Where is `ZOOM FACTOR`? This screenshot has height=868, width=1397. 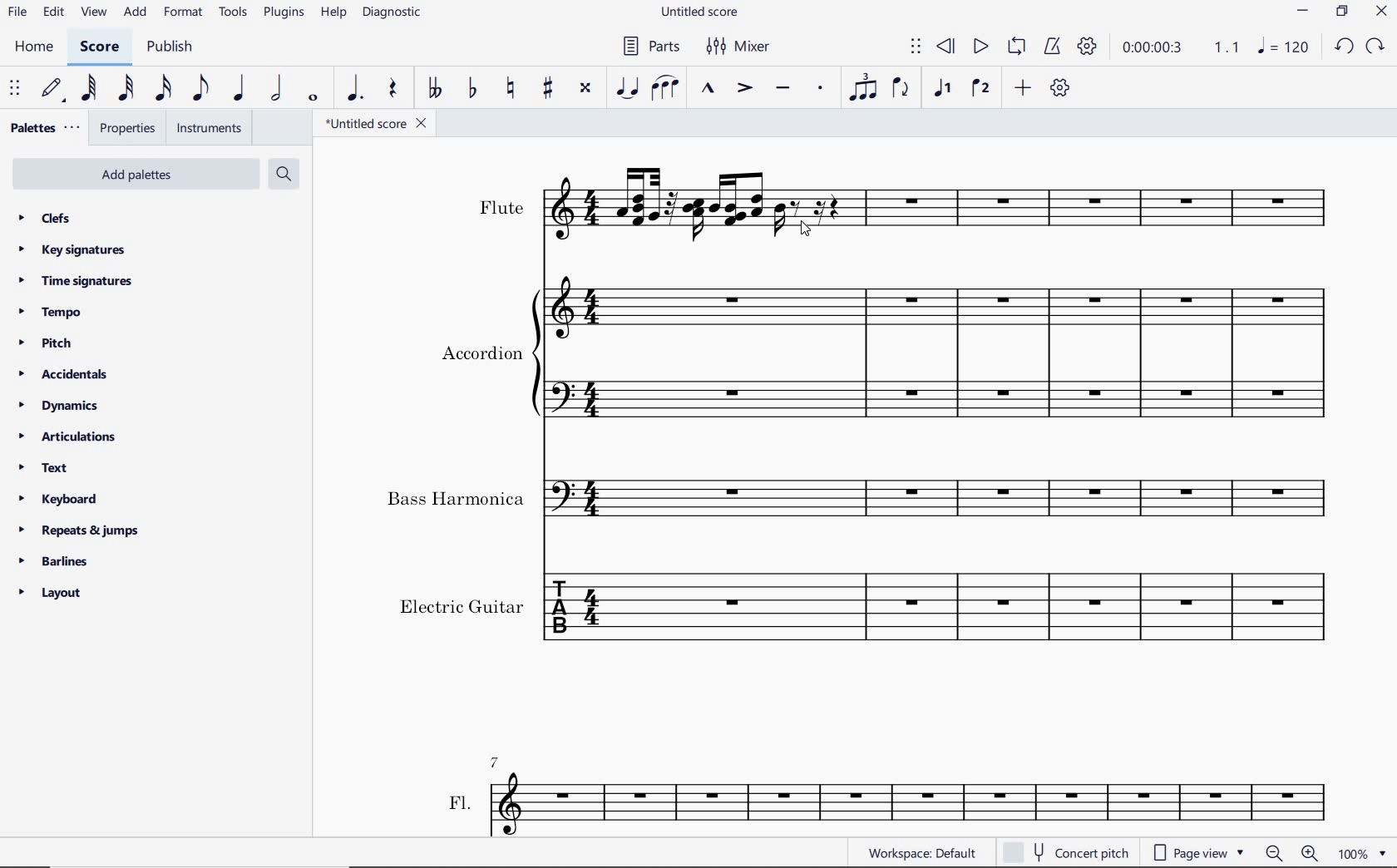 ZOOM FACTOR is located at coordinates (1361, 854).